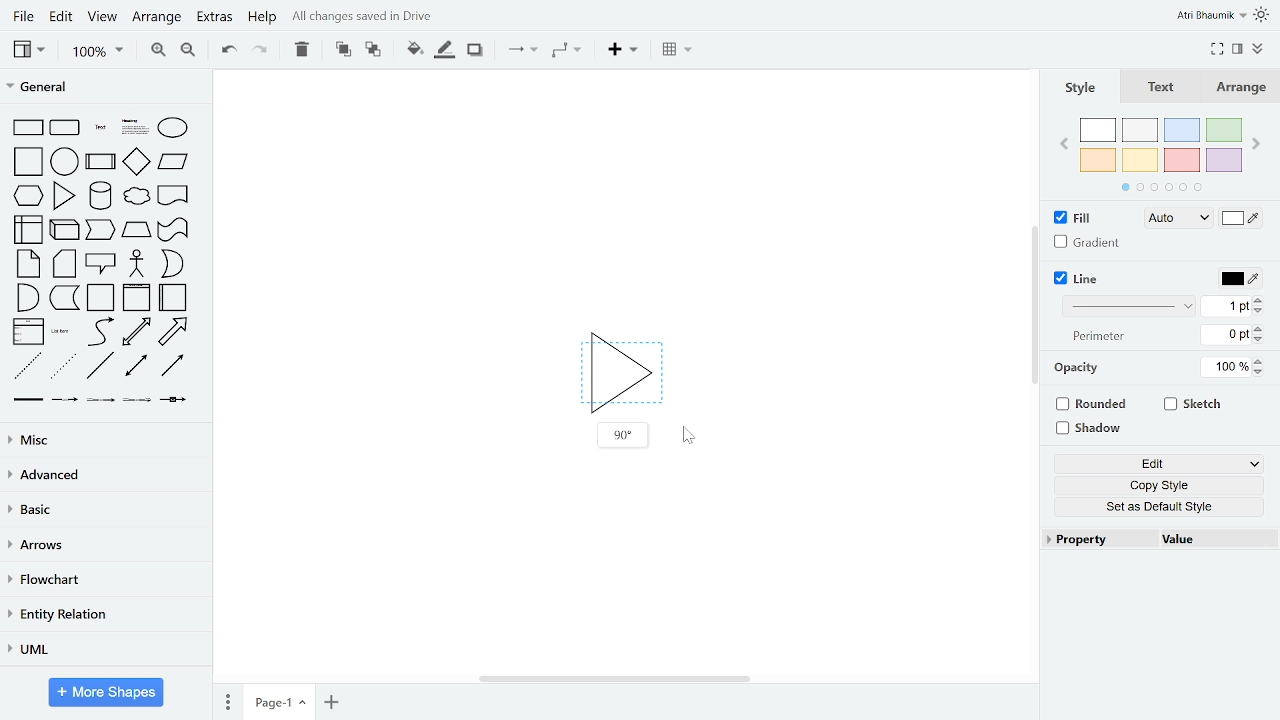 The width and height of the screenshot is (1280, 720). Describe the element at coordinates (386, 17) in the screenshot. I see `last change saved` at that location.